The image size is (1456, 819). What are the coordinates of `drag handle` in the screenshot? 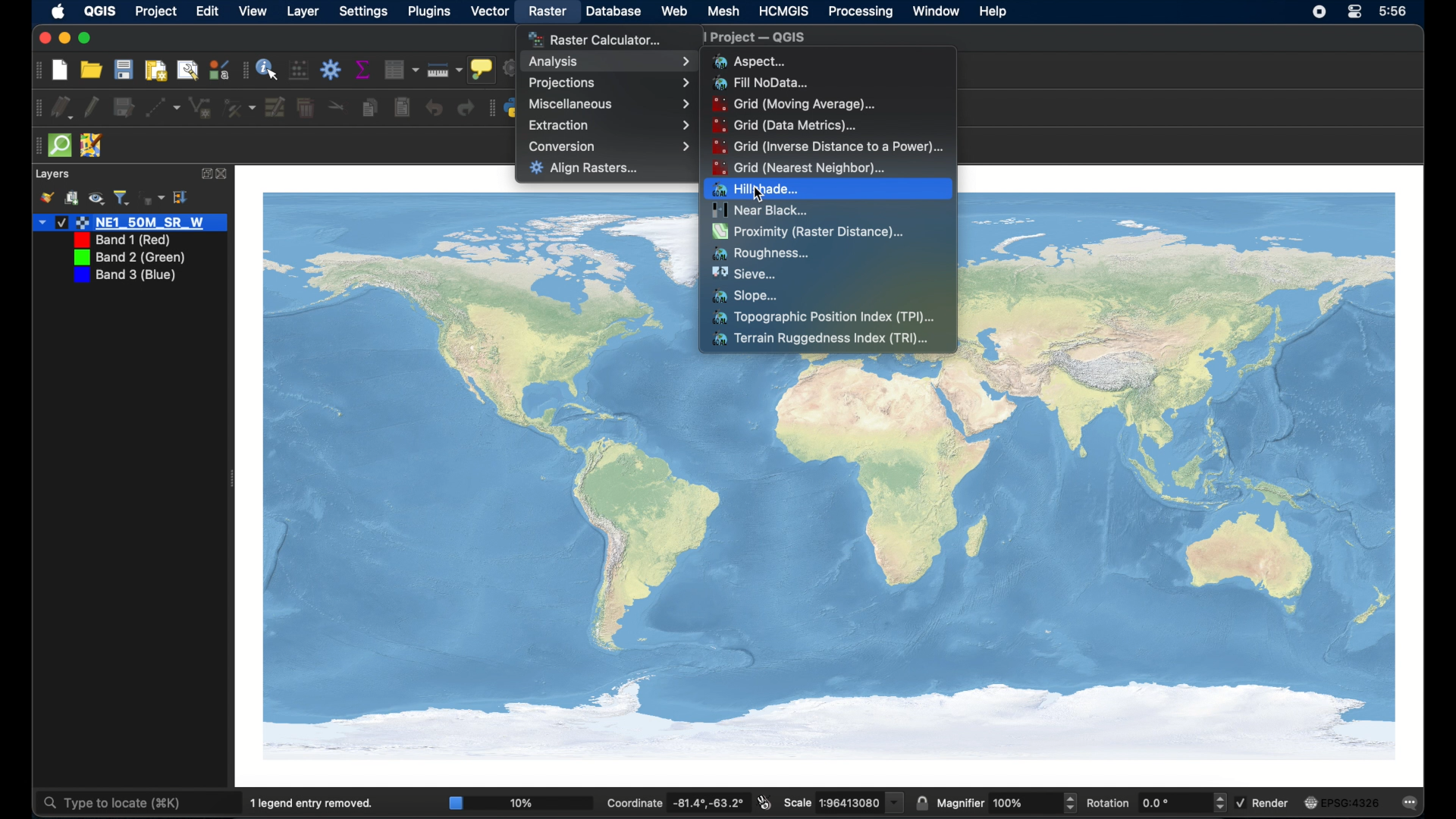 It's located at (243, 70).